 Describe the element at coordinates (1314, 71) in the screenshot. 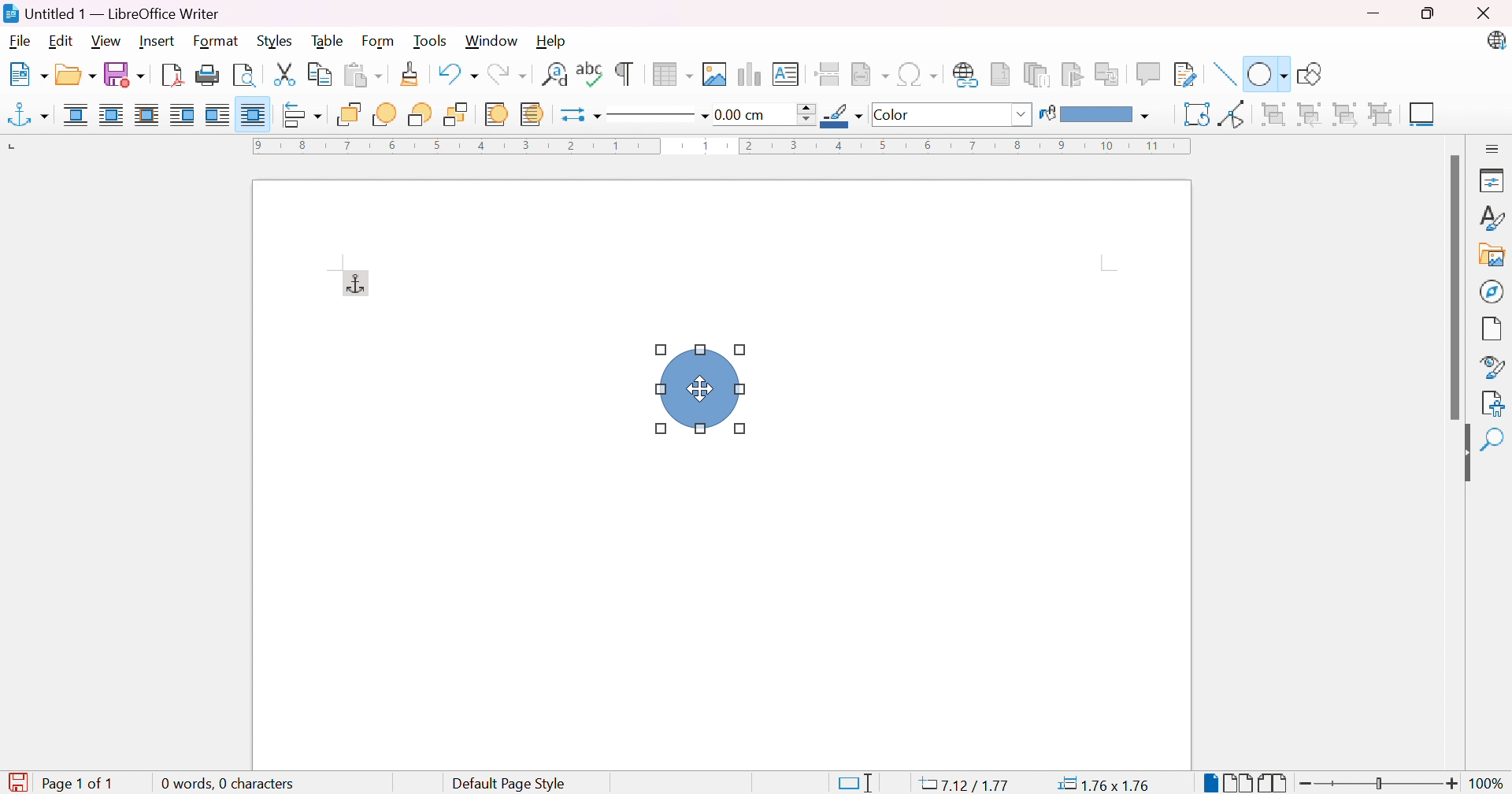

I see `Sow draw functions` at that location.